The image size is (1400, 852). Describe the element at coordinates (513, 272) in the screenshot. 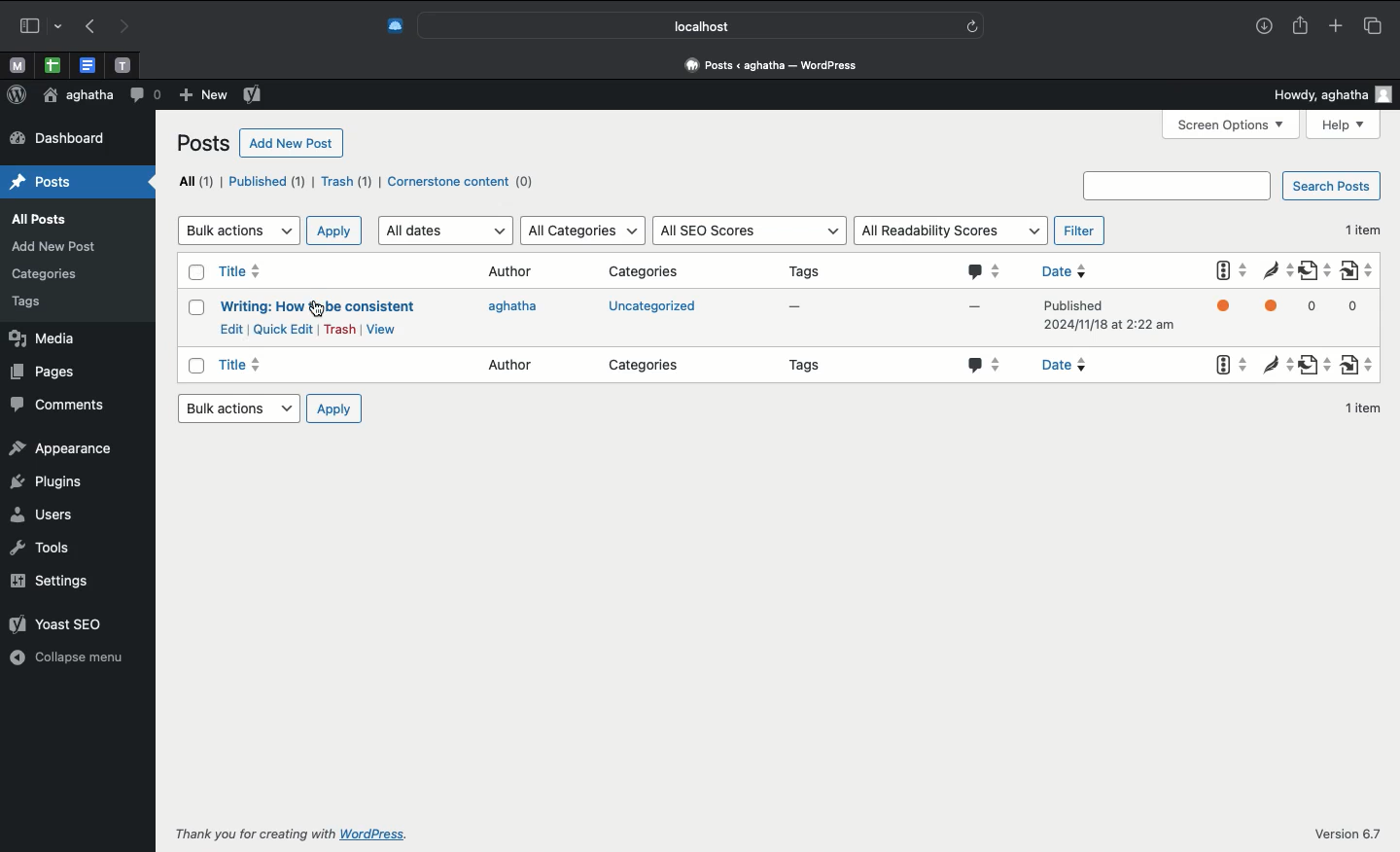

I see `Author` at that location.